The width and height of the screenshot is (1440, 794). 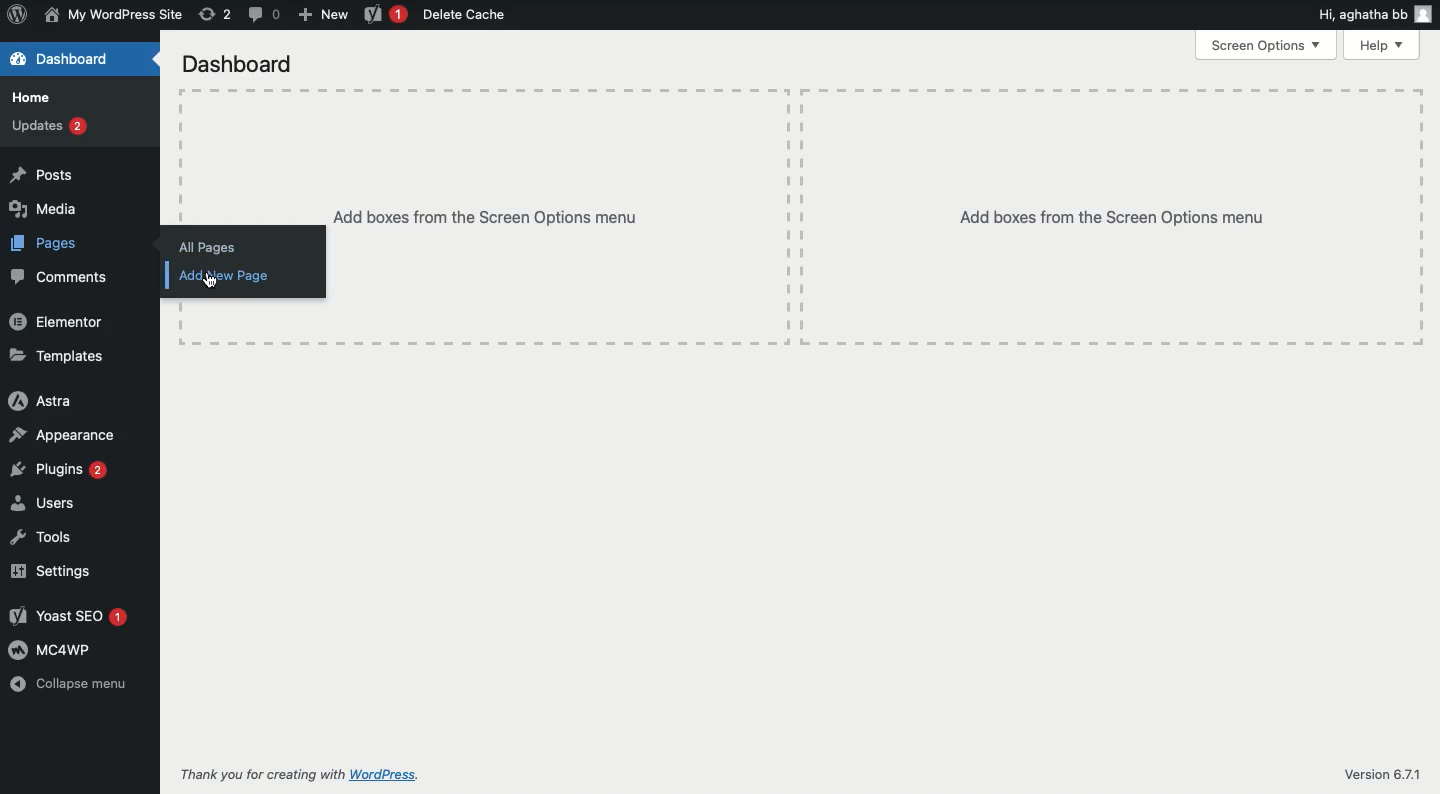 I want to click on Tools, so click(x=42, y=536).